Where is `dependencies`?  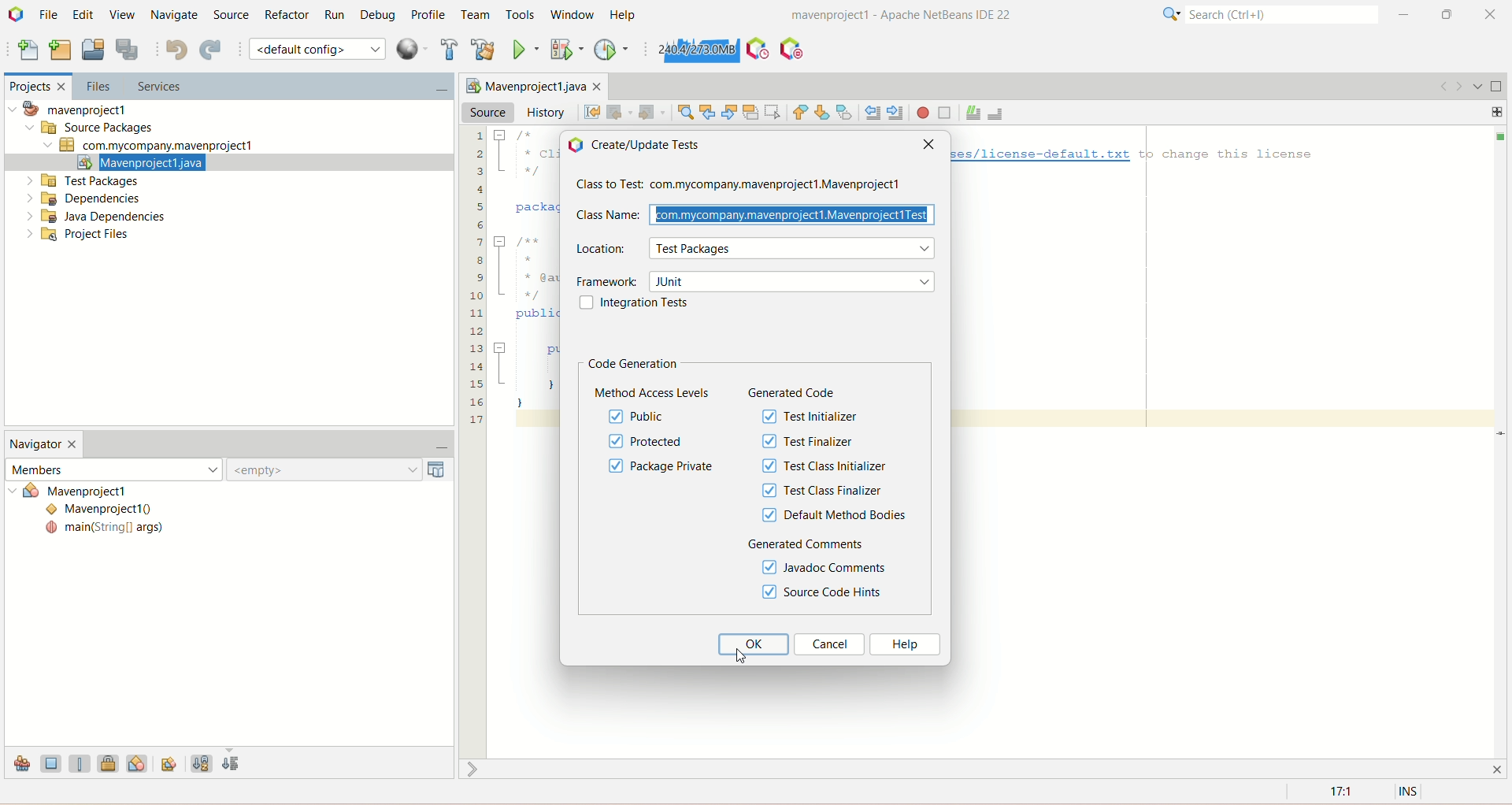 dependencies is located at coordinates (83, 198).